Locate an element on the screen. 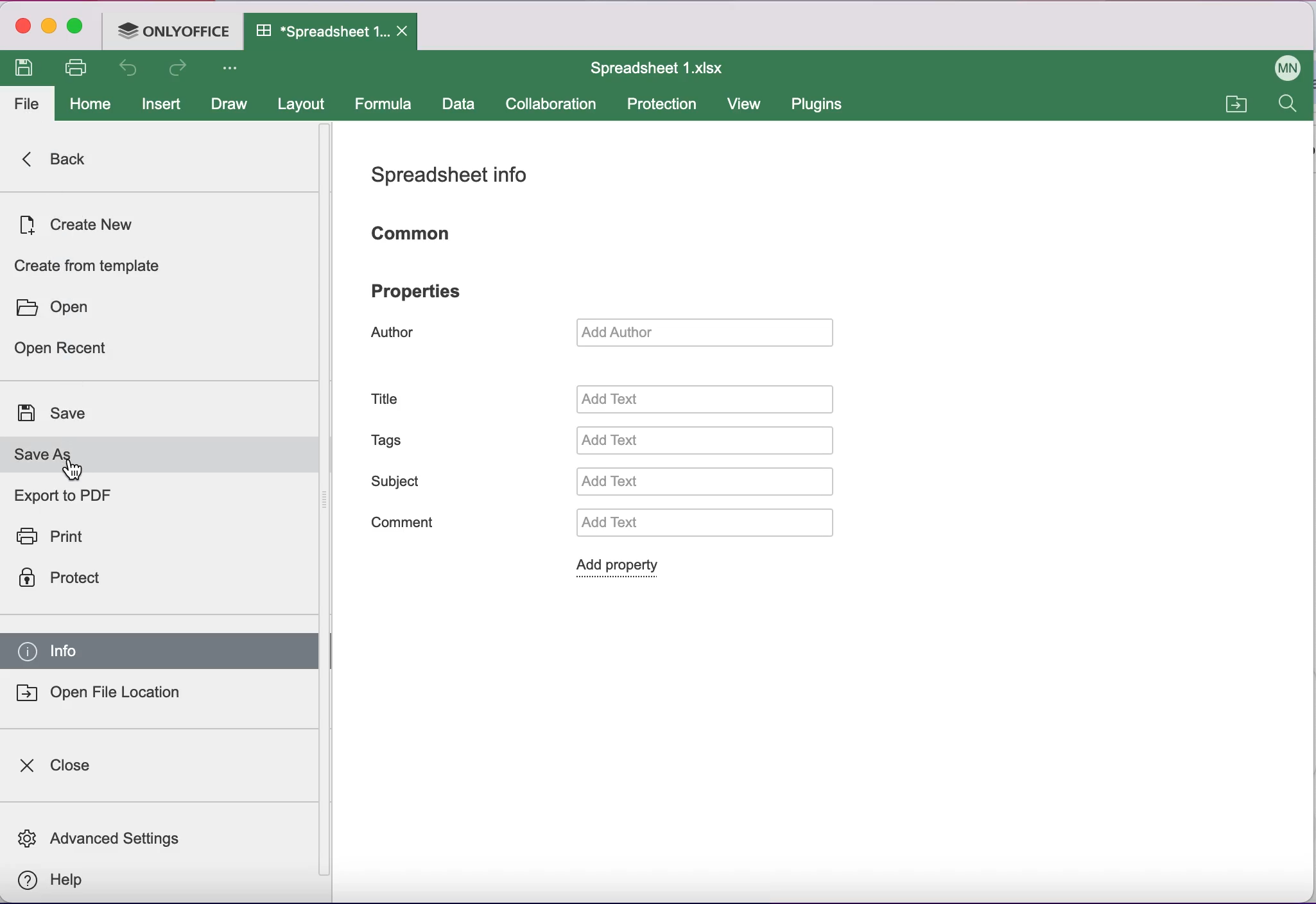 This screenshot has width=1316, height=904. open file location is located at coordinates (1235, 101).